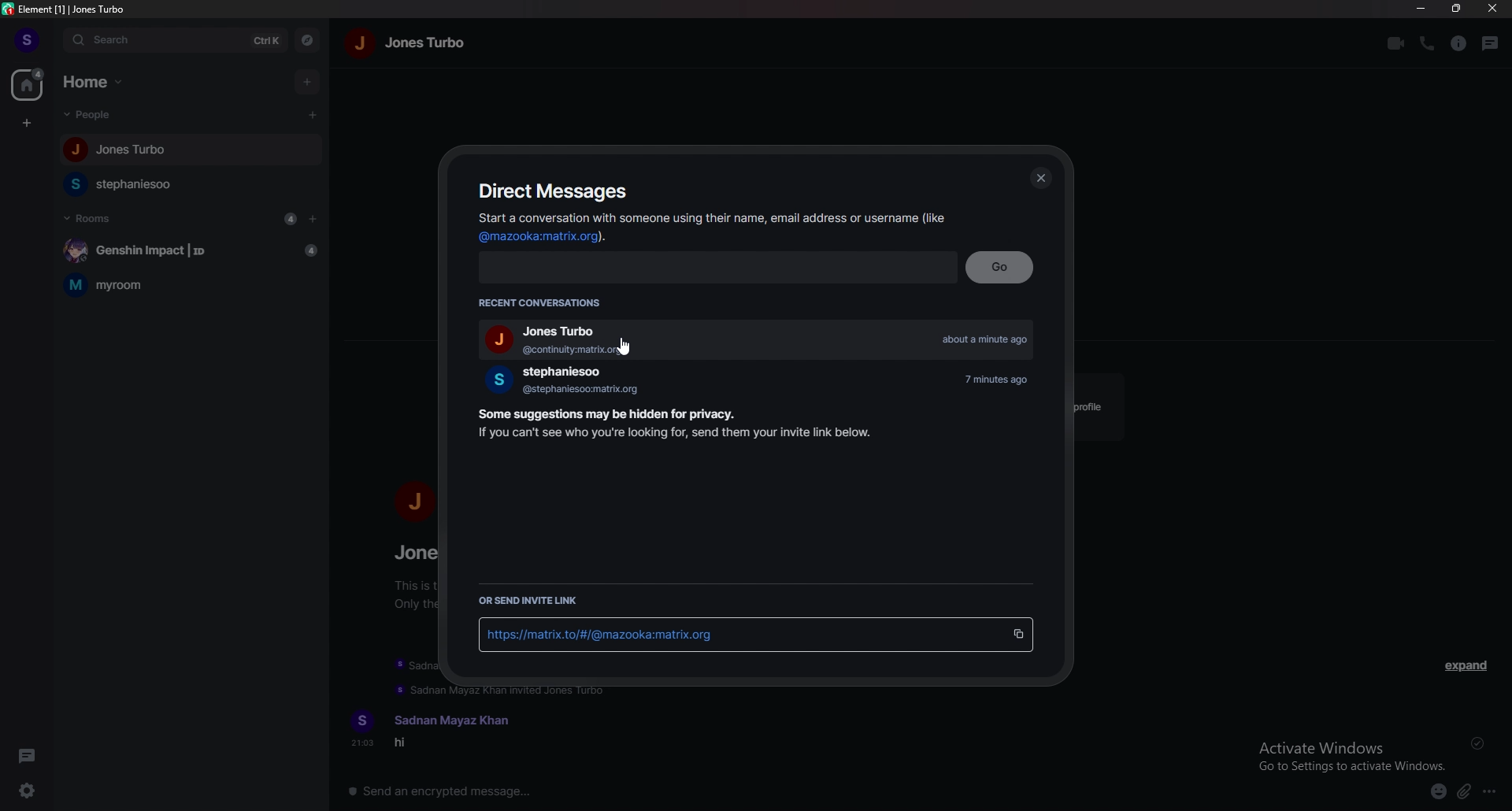  I want to click on recent conversations, so click(547, 301).